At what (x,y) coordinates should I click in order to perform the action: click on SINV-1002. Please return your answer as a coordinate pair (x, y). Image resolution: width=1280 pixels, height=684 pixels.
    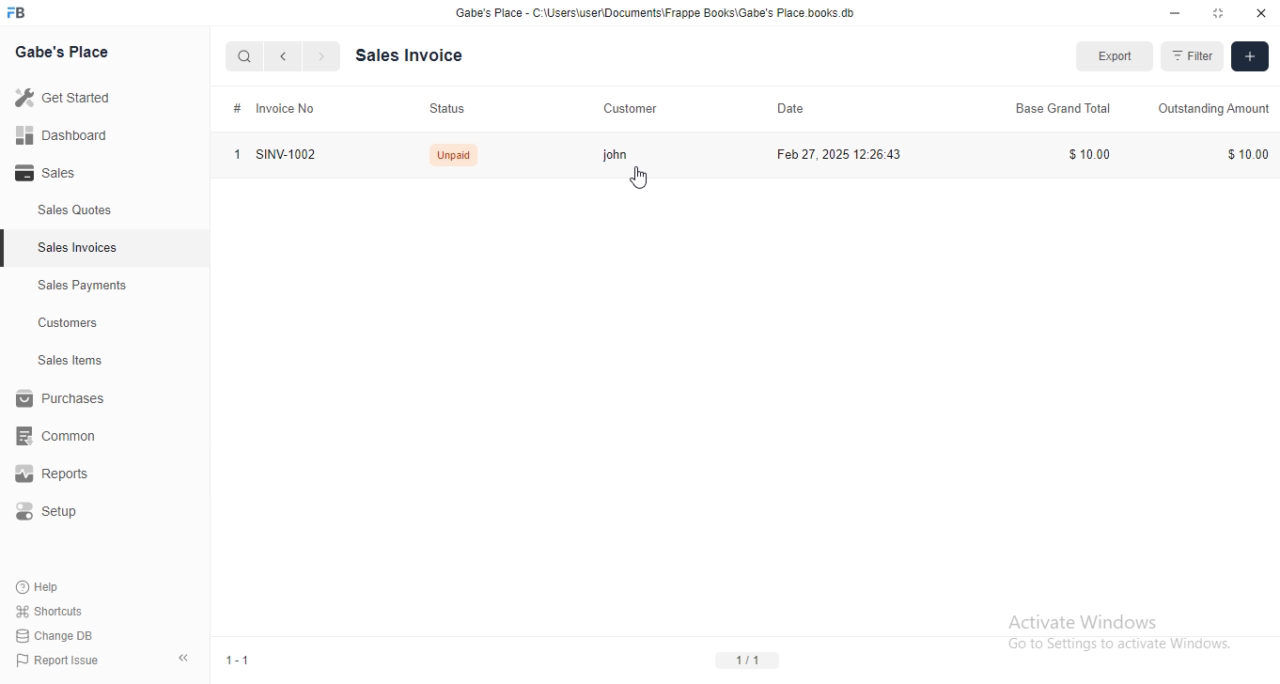
    Looking at the image, I should click on (287, 154).